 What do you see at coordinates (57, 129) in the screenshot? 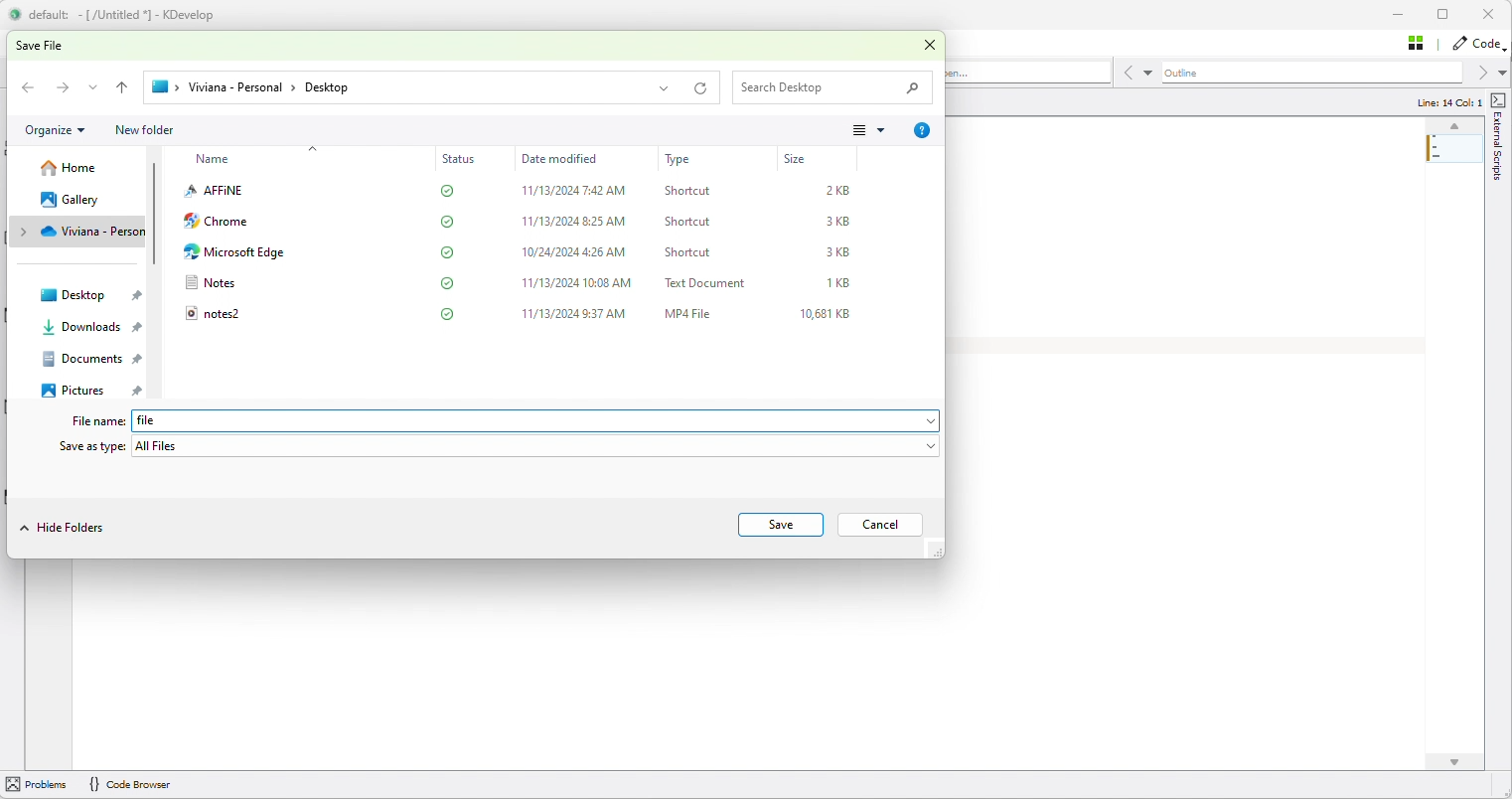
I see `Organize` at bounding box center [57, 129].